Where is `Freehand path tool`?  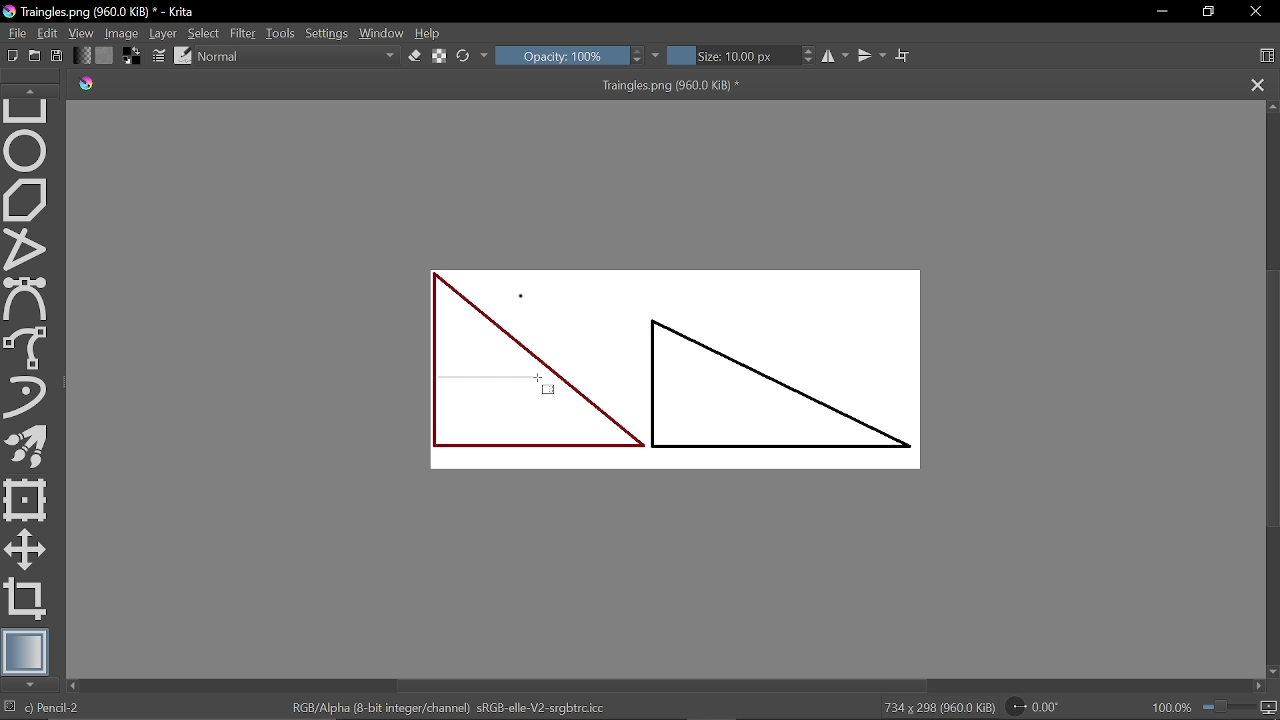 Freehand path tool is located at coordinates (29, 348).